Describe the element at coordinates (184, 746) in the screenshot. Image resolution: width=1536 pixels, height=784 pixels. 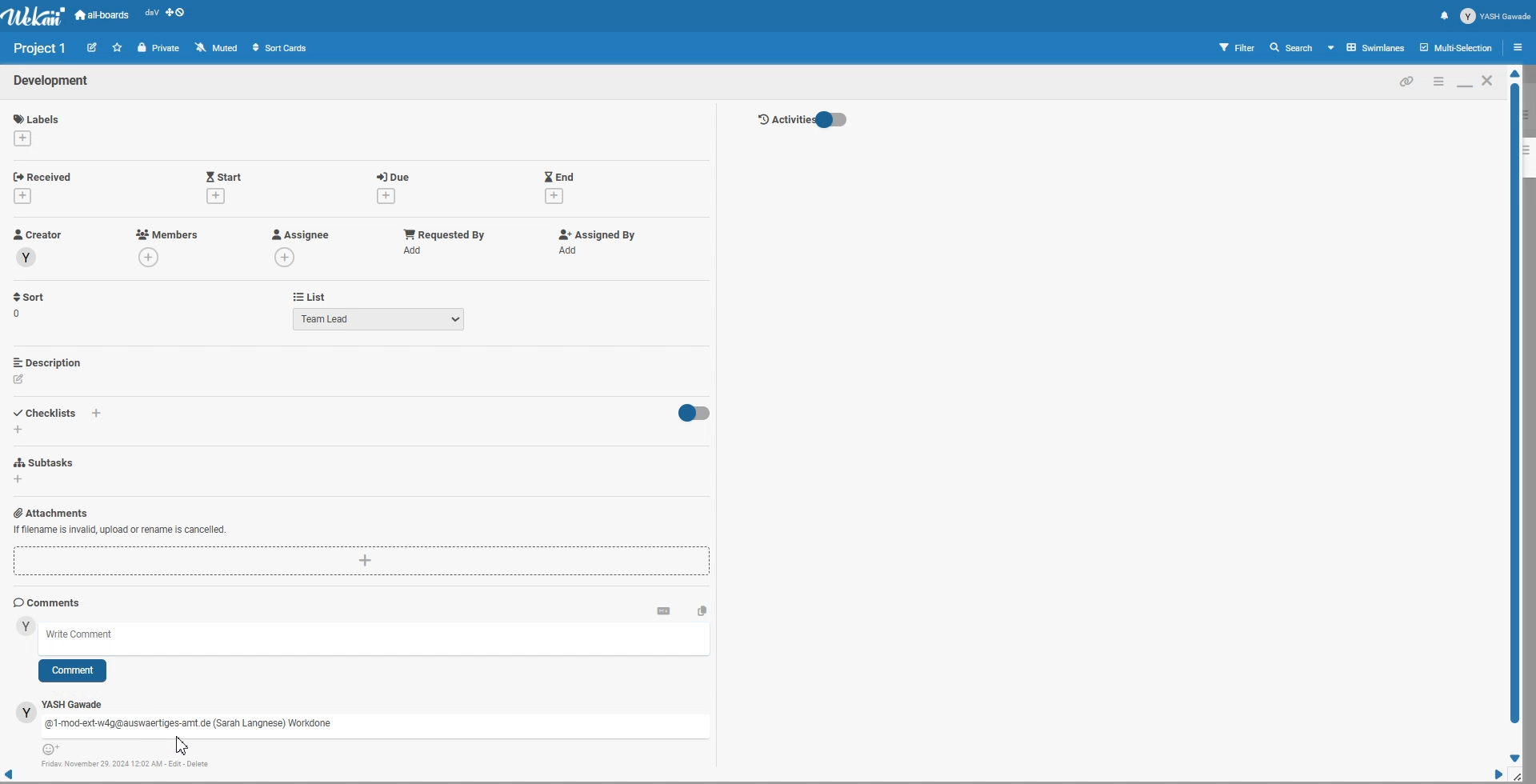
I see `cursor` at that location.